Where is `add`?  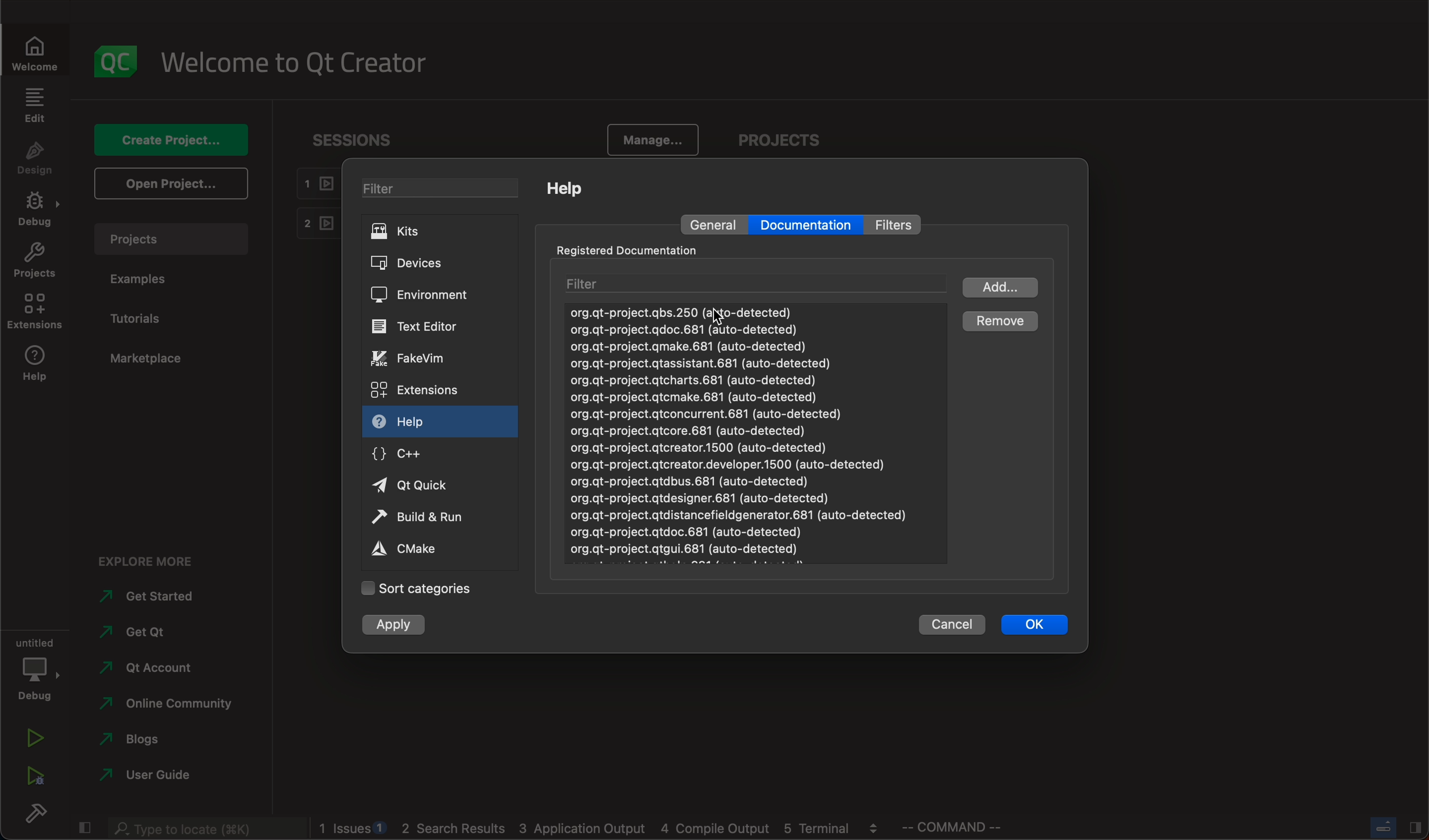
add is located at coordinates (1000, 286).